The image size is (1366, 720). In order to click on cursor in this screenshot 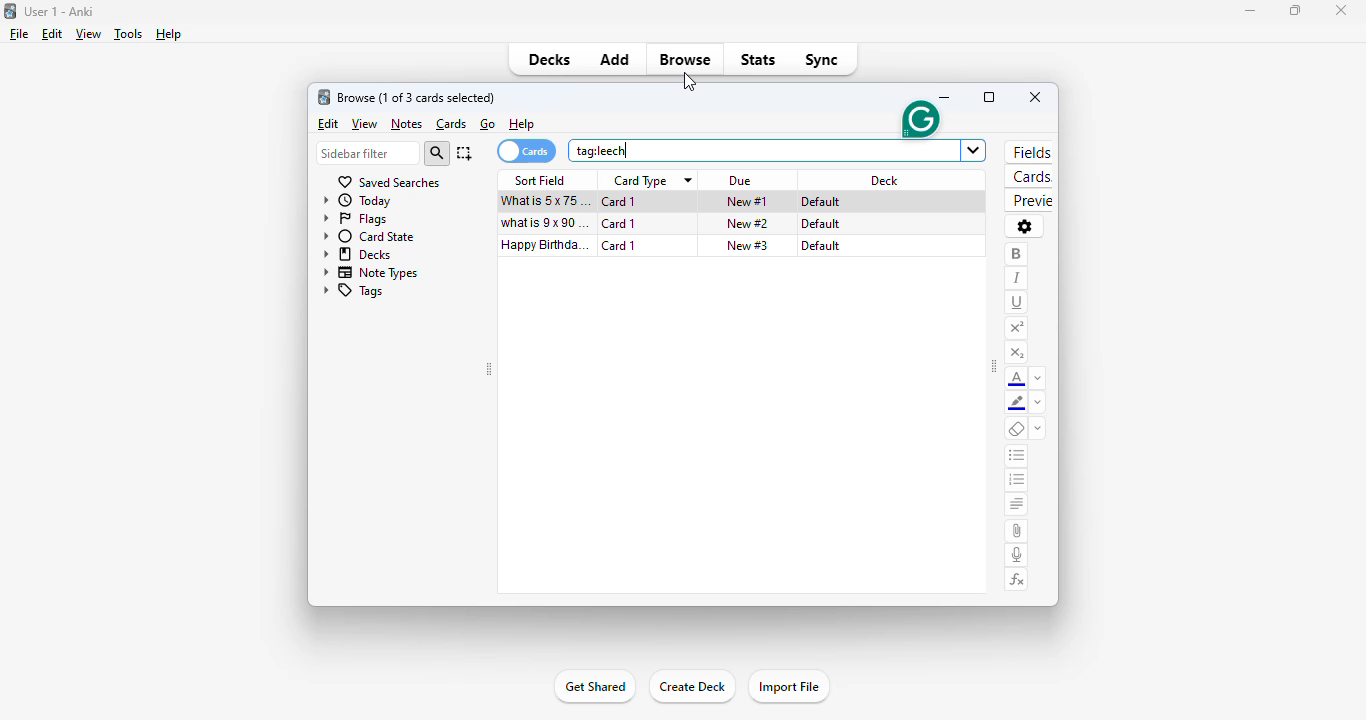, I will do `click(694, 84)`.